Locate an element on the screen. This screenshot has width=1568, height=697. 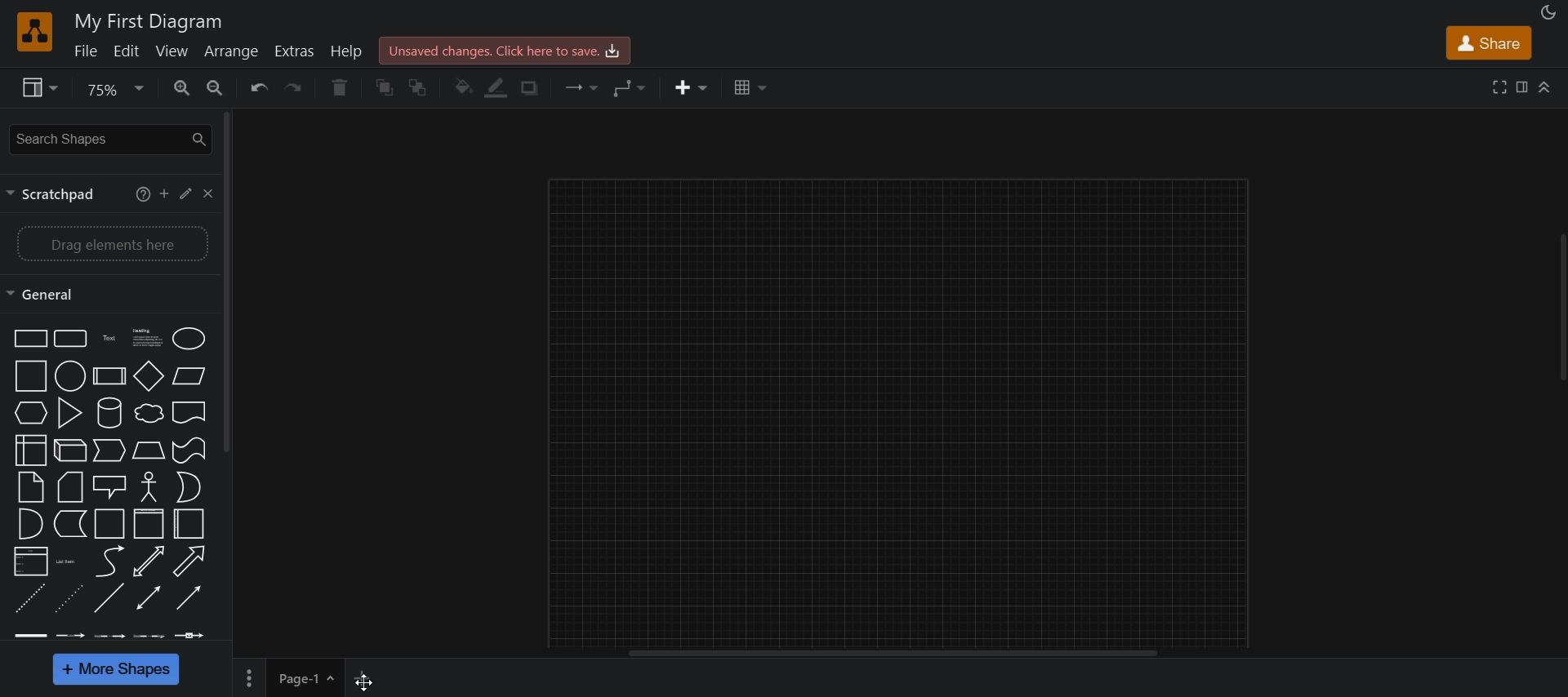
insert is located at coordinates (694, 91).